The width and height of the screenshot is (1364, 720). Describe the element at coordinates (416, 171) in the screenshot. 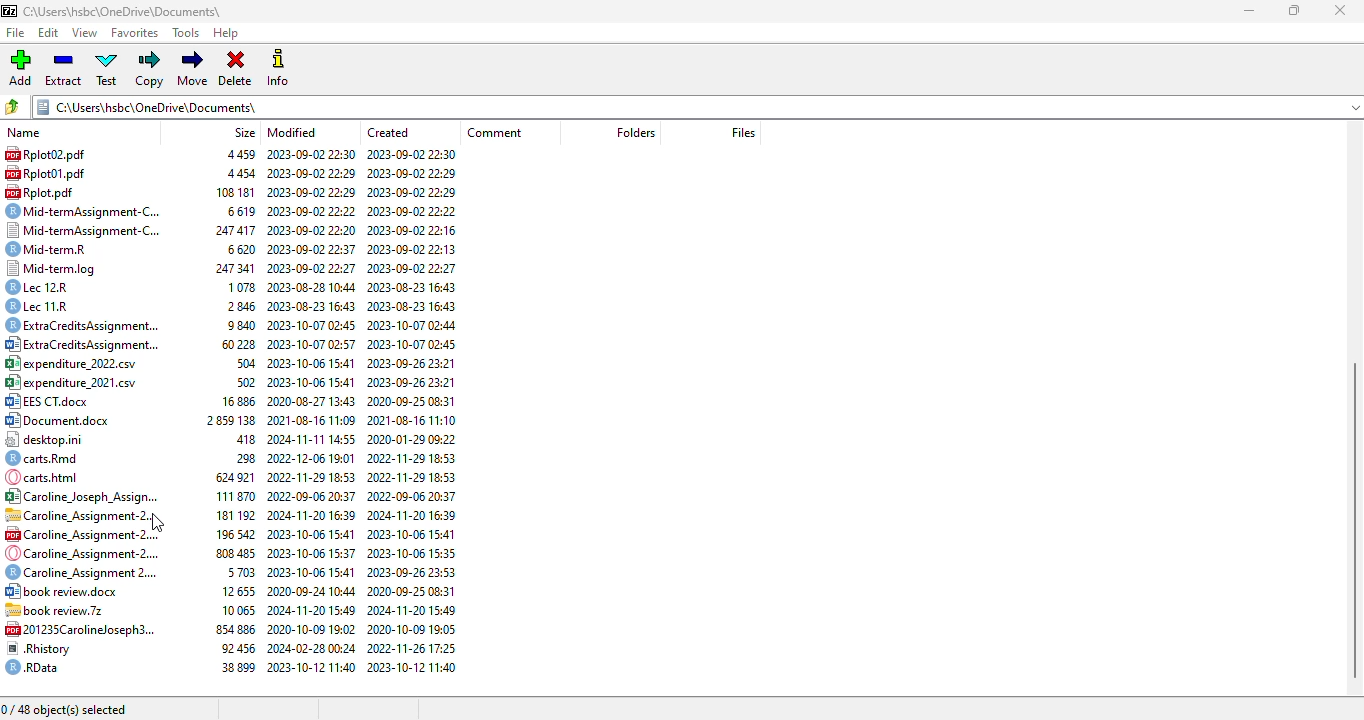

I see `2023-09-02 22:29` at that location.